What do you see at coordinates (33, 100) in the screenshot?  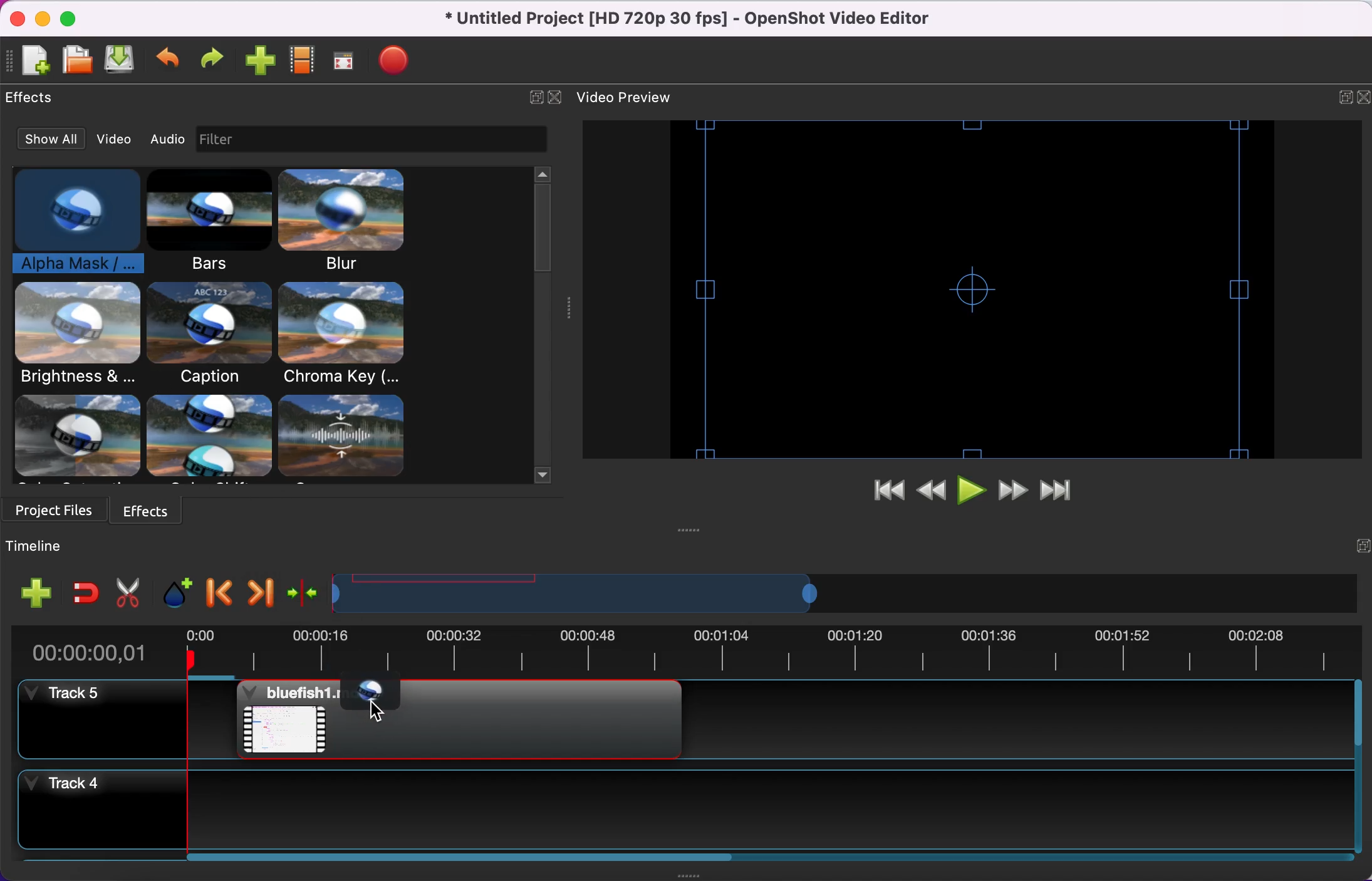 I see `effects` at bounding box center [33, 100].